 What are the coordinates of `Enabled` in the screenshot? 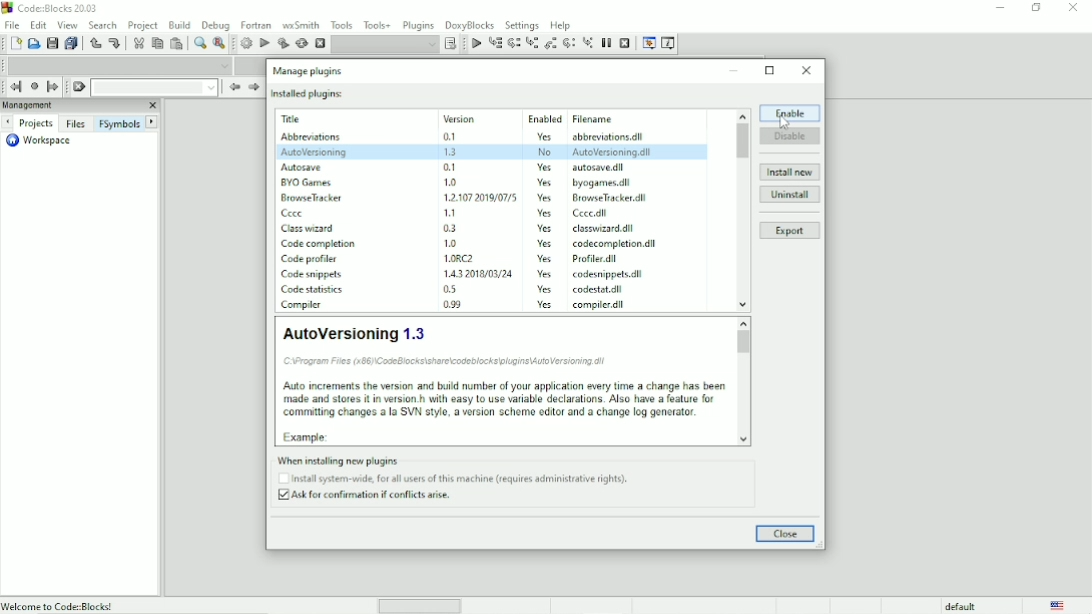 It's located at (543, 117).